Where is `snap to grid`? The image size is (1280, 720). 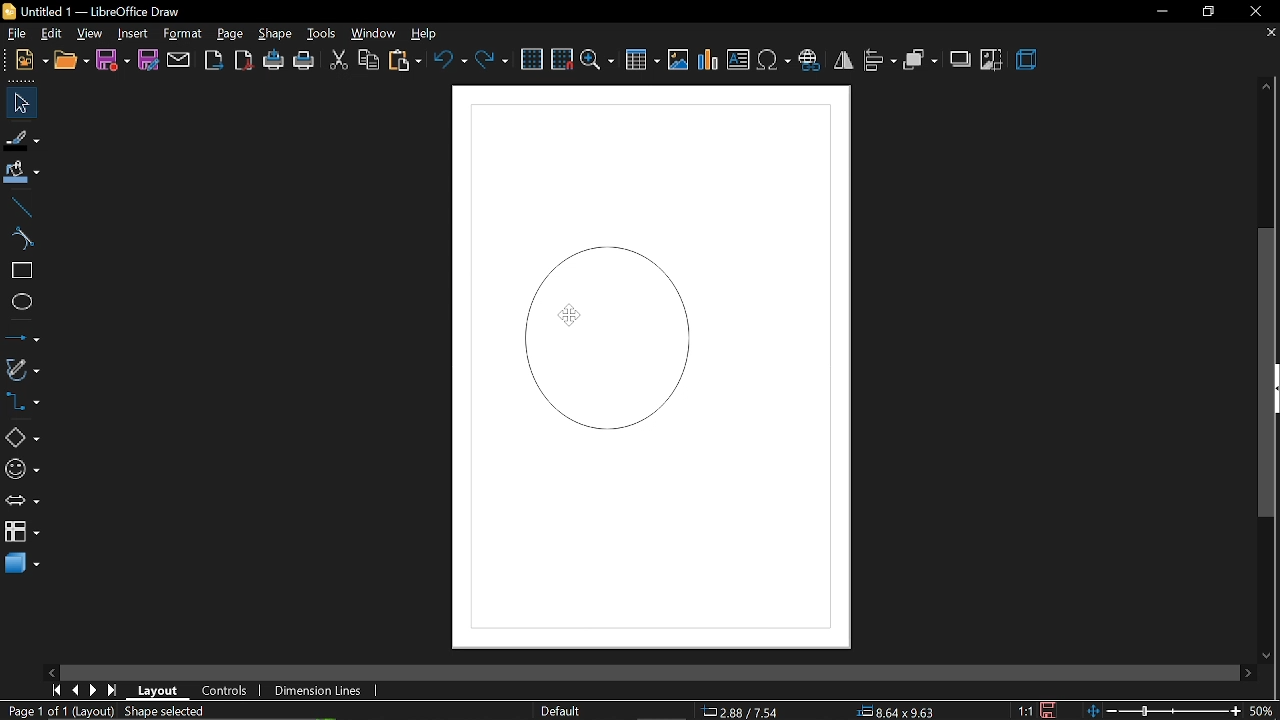
snap to grid is located at coordinates (562, 59).